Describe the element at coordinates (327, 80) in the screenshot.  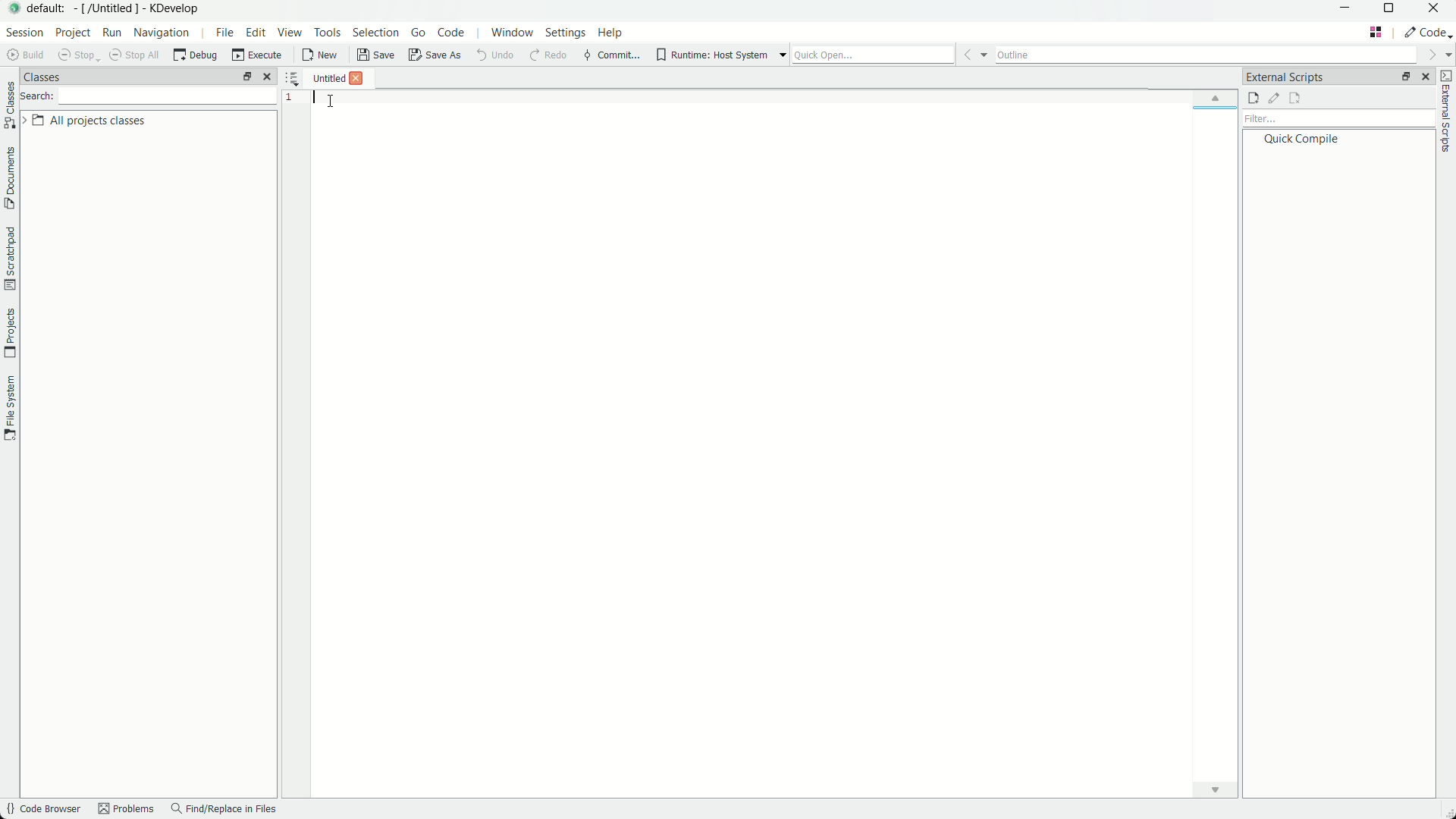
I see `untitled` at that location.